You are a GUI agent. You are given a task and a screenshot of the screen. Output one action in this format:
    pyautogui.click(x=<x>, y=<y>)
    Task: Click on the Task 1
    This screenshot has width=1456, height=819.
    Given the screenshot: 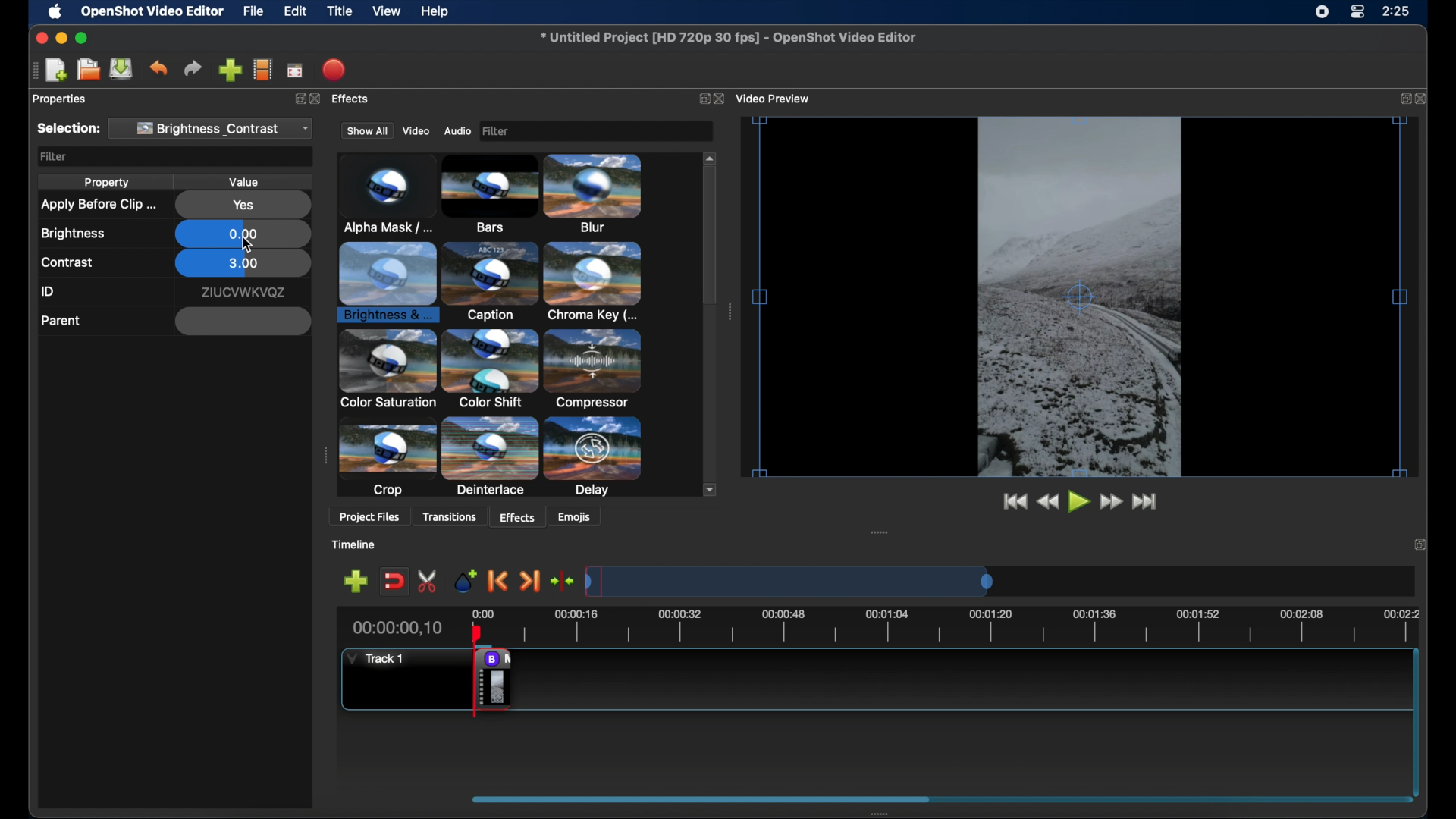 What is the action you would take?
    pyautogui.click(x=381, y=660)
    